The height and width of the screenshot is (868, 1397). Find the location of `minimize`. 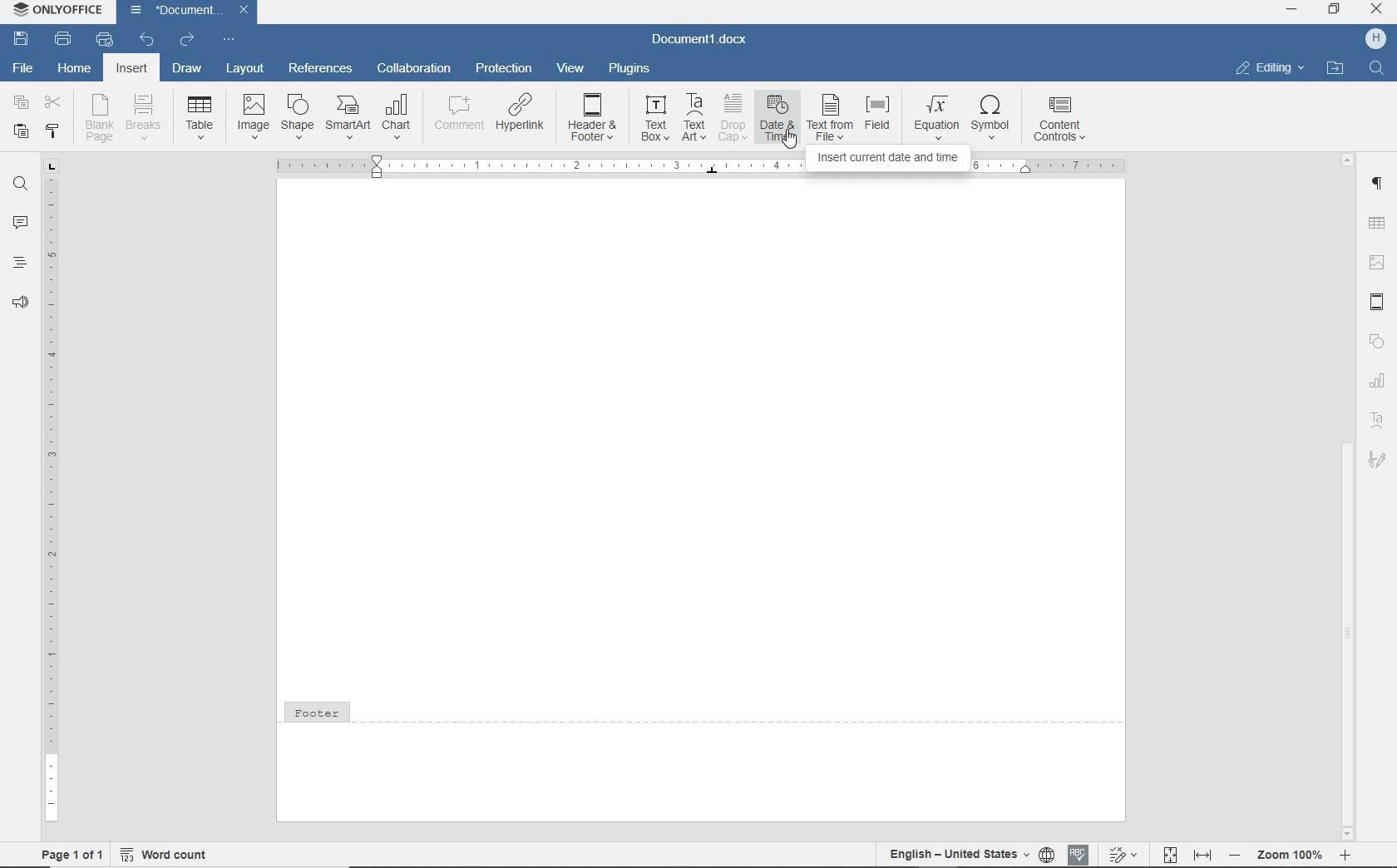

minimize is located at coordinates (1291, 11).